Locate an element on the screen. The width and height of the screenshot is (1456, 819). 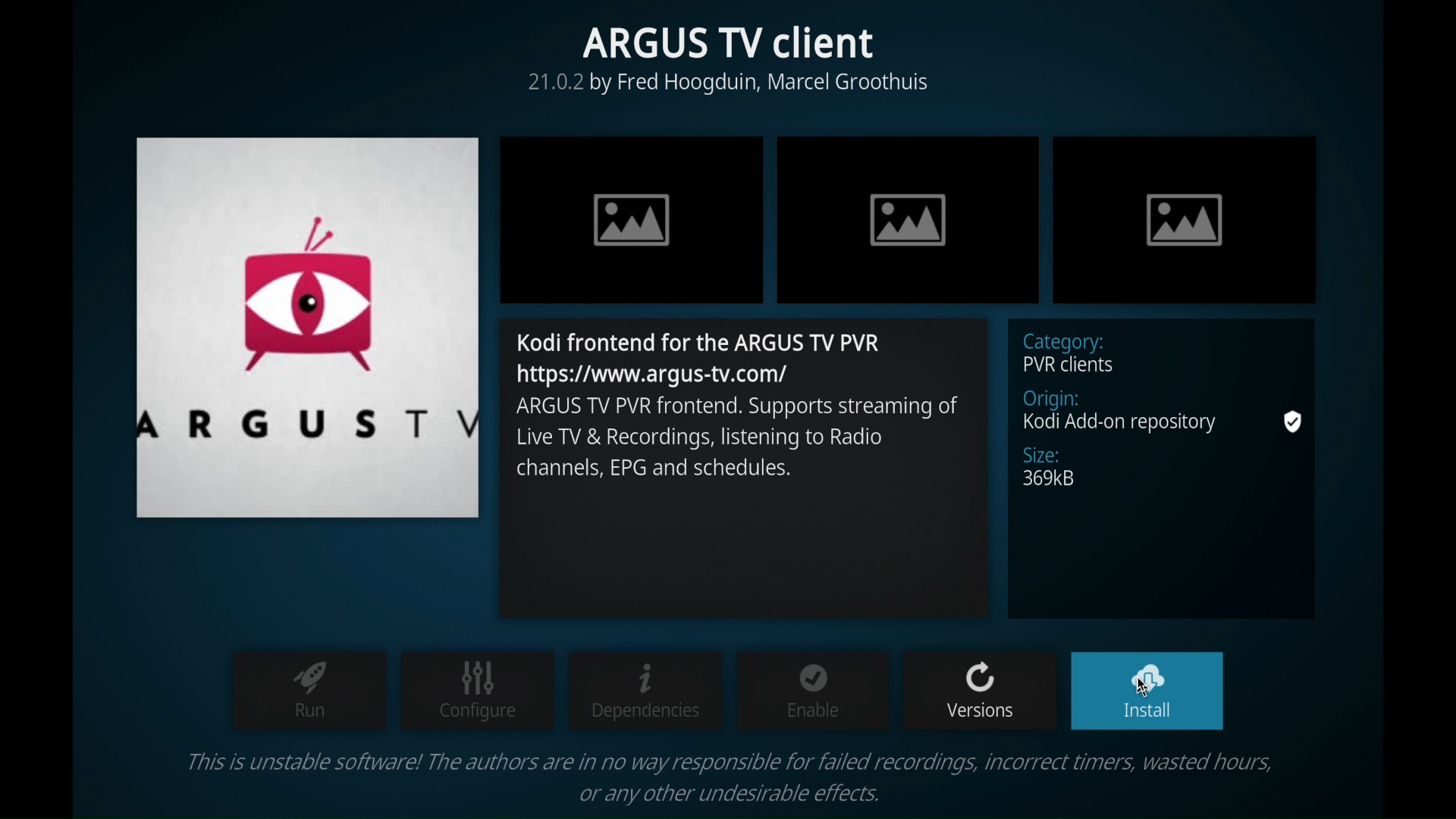
Origin.Kodi Add-on repository is located at coordinates (1119, 412).